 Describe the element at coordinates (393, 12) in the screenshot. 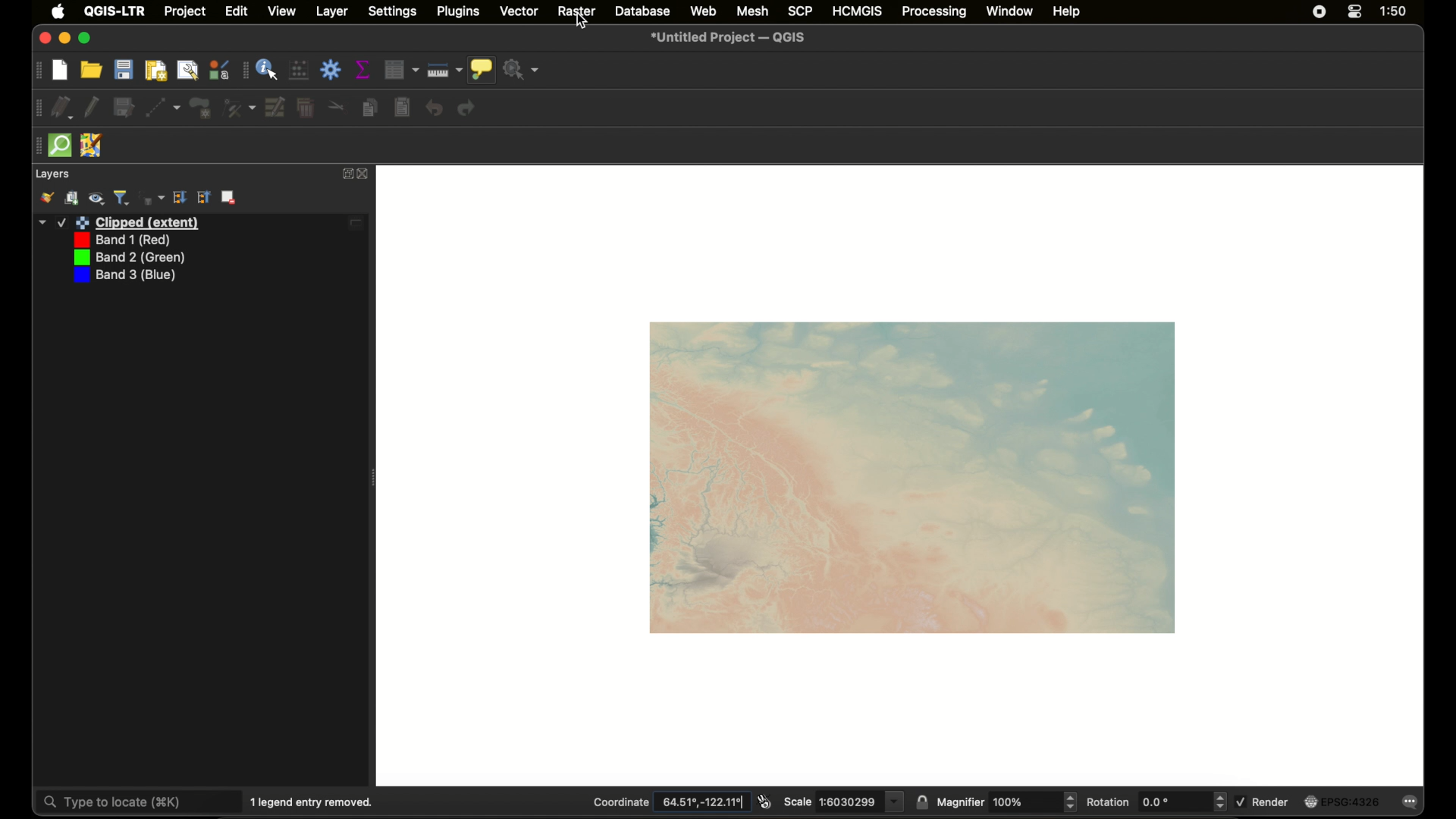

I see `settings` at that location.